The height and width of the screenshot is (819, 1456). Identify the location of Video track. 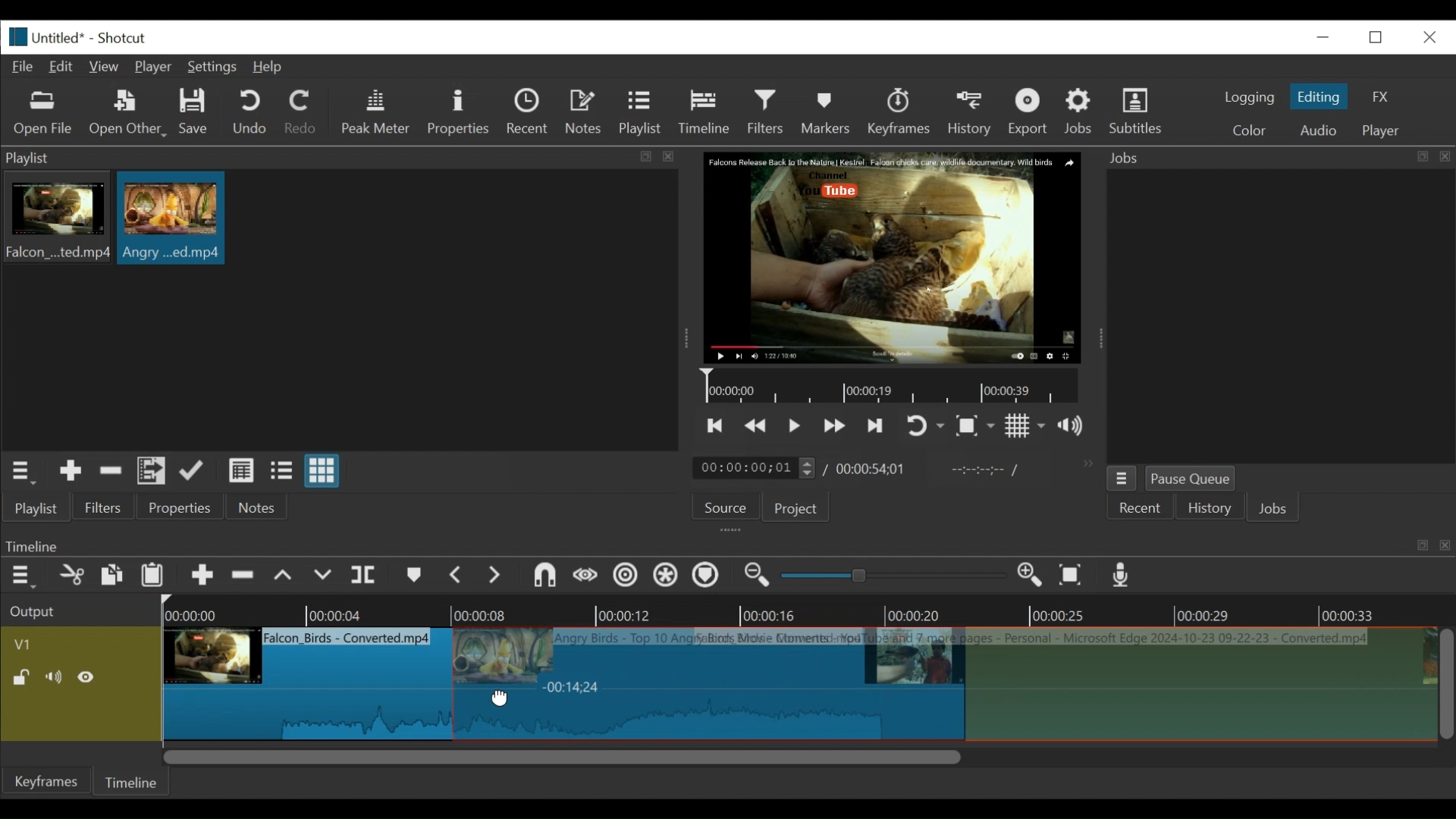
(81, 644).